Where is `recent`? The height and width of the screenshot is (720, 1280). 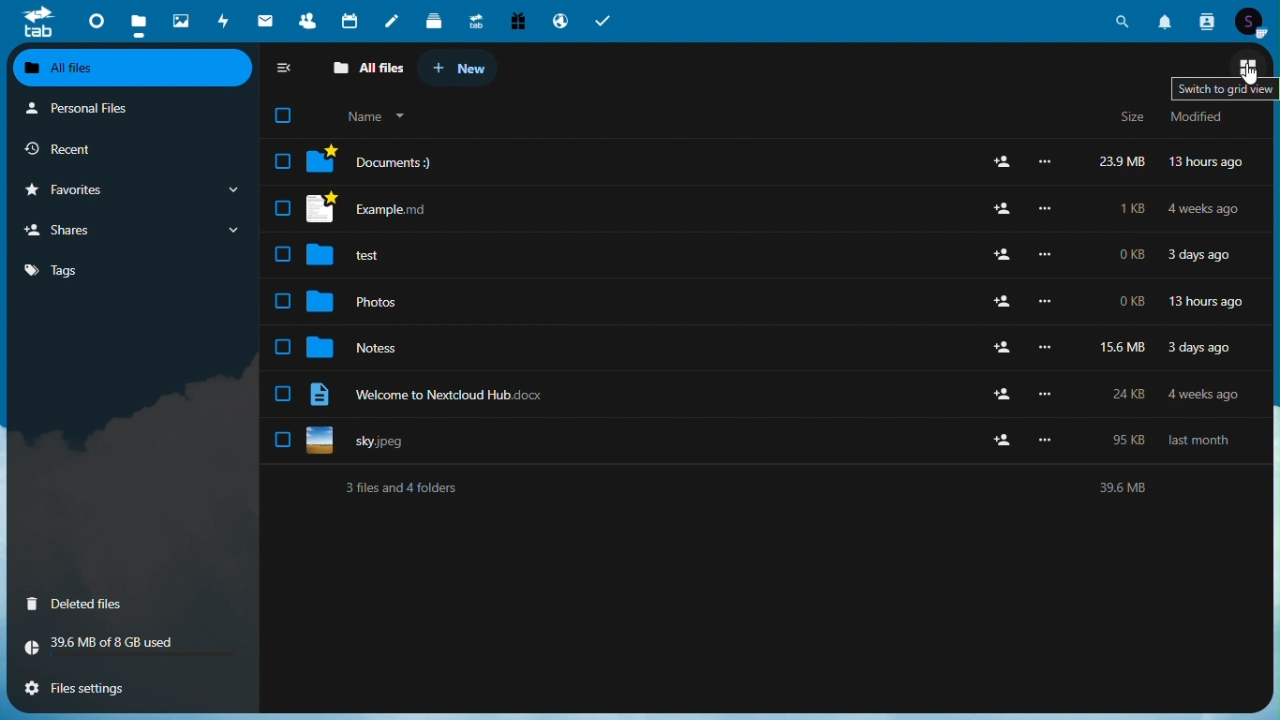 recent is located at coordinates (110, 147).